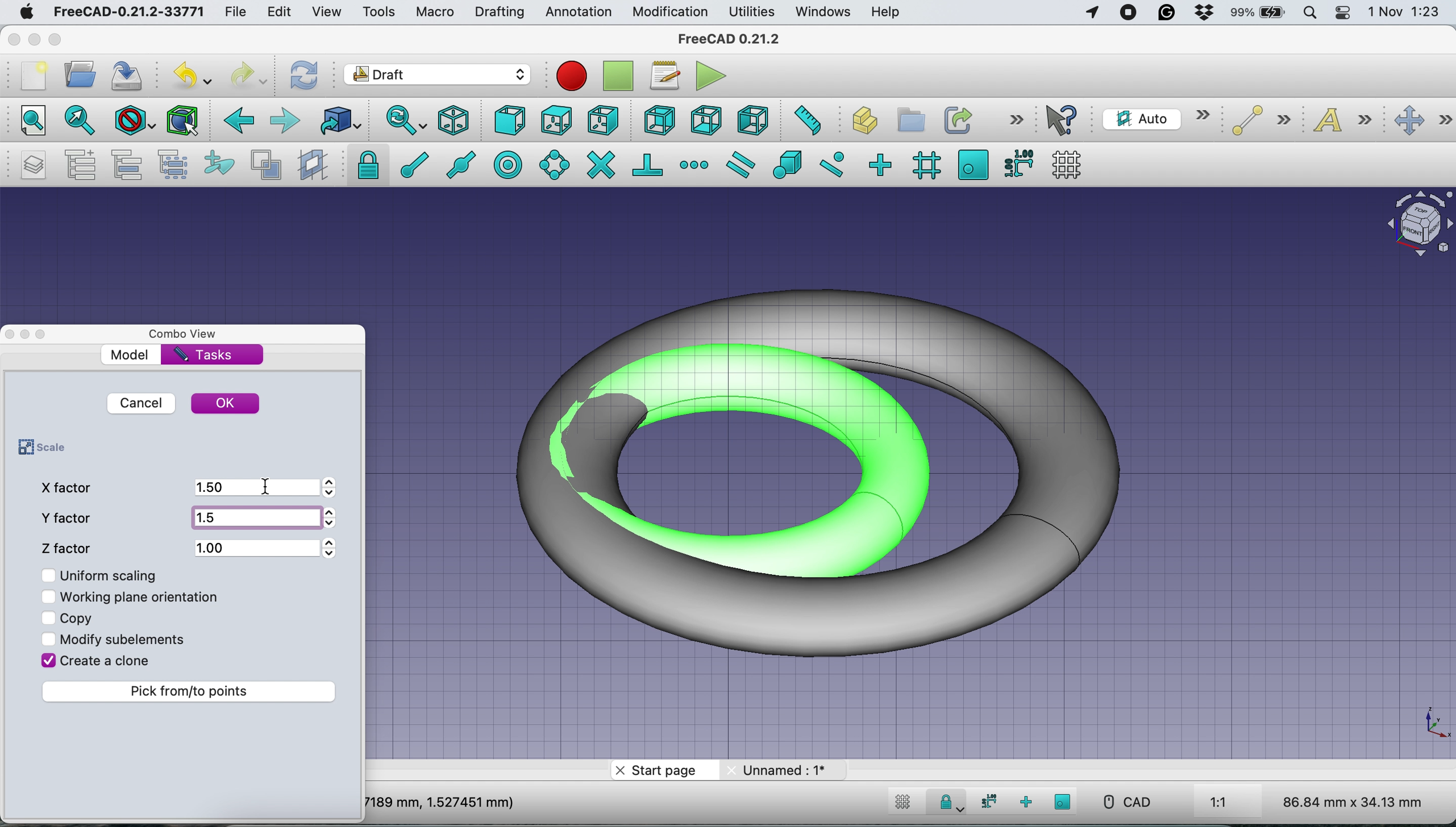  What do you see at coordinates (1403, 12) in the screenshot?
I see `1 Nov 1:23` at bounding box center [1403, 12].